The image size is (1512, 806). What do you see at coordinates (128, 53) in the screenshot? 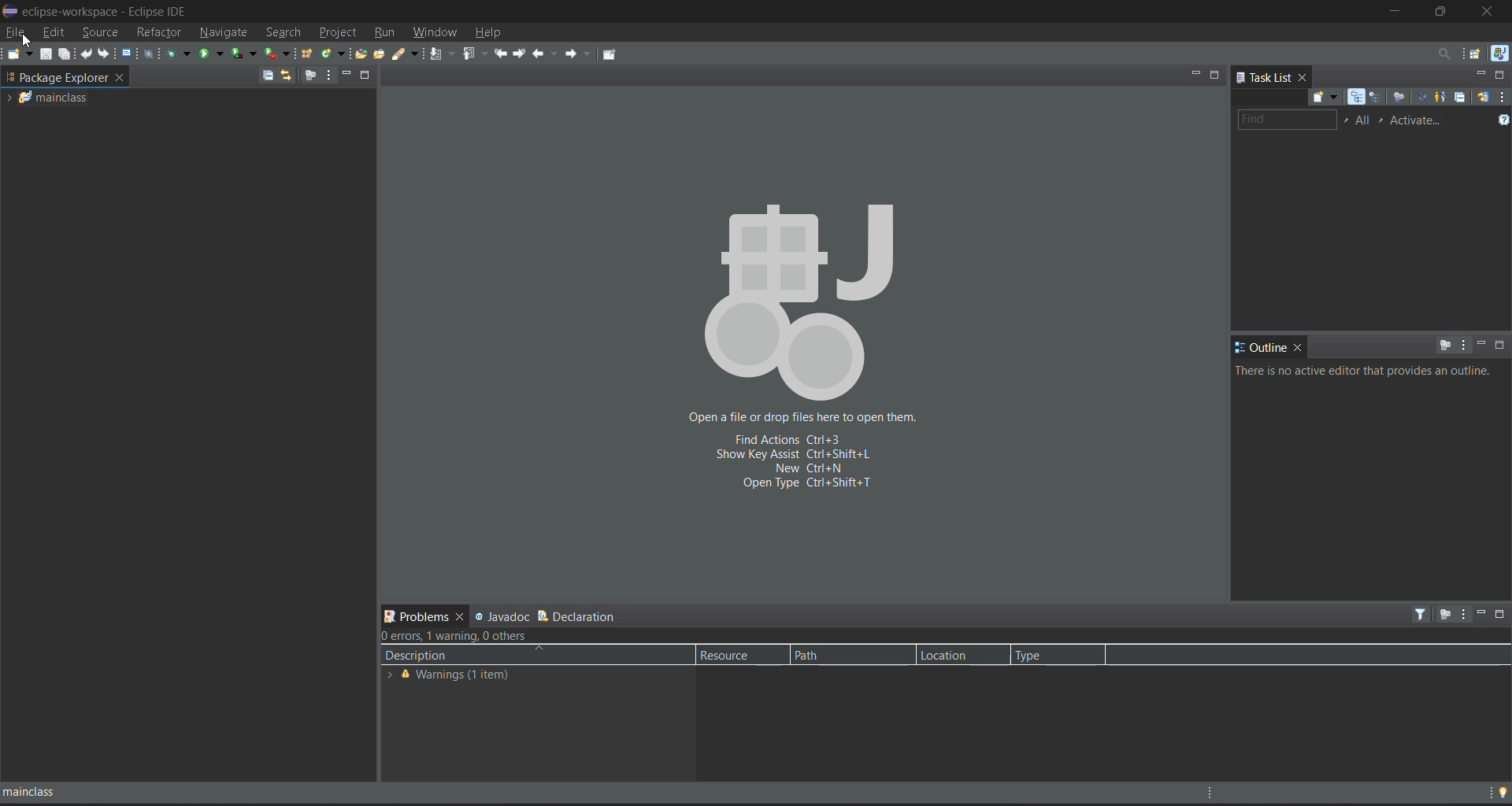
I see `open a terminal` at bounding box center [128, 53].